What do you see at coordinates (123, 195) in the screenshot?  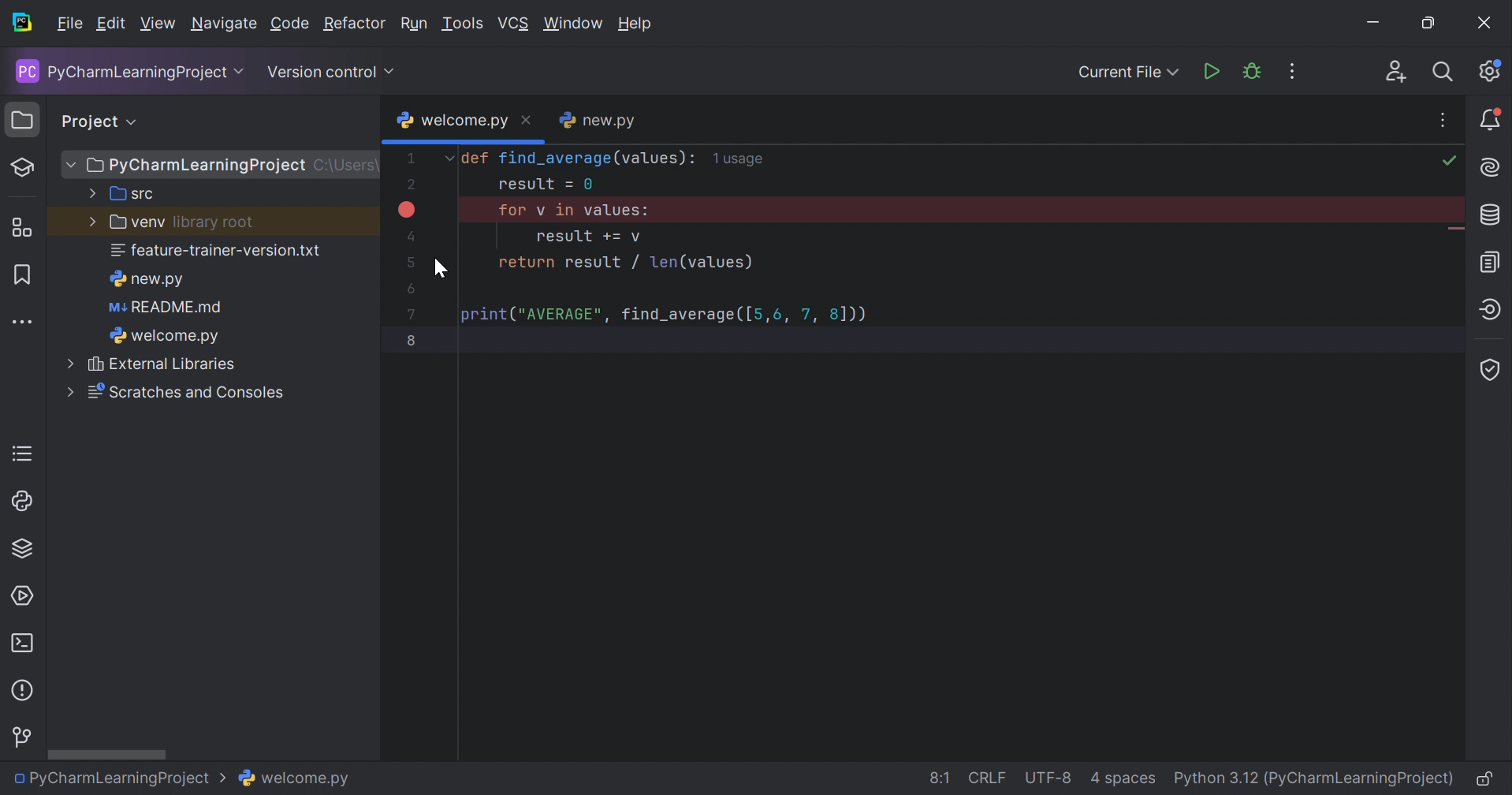 I see `src` at bounding box center [123, 195].